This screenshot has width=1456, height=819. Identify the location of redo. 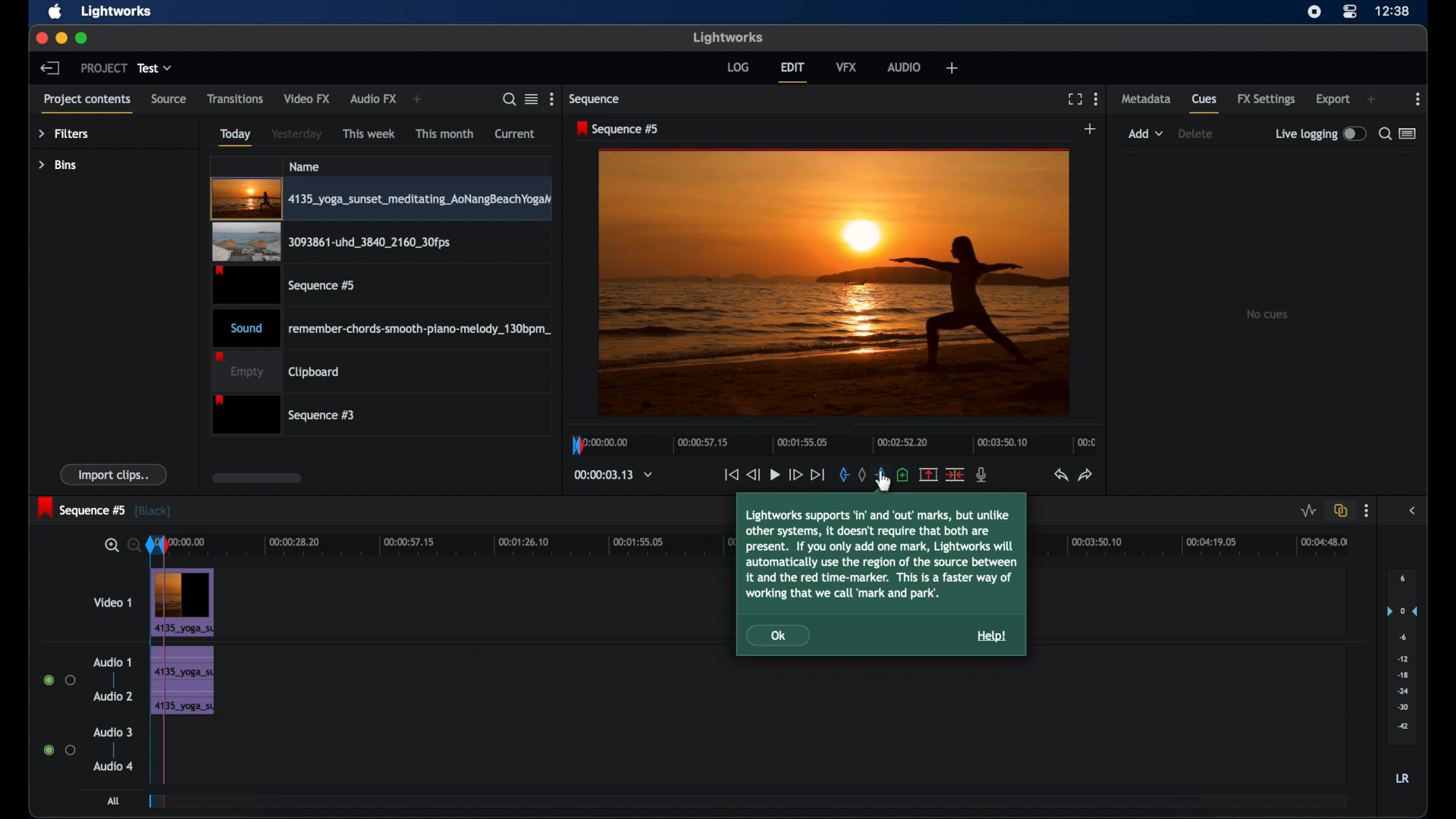
(1086, 475).